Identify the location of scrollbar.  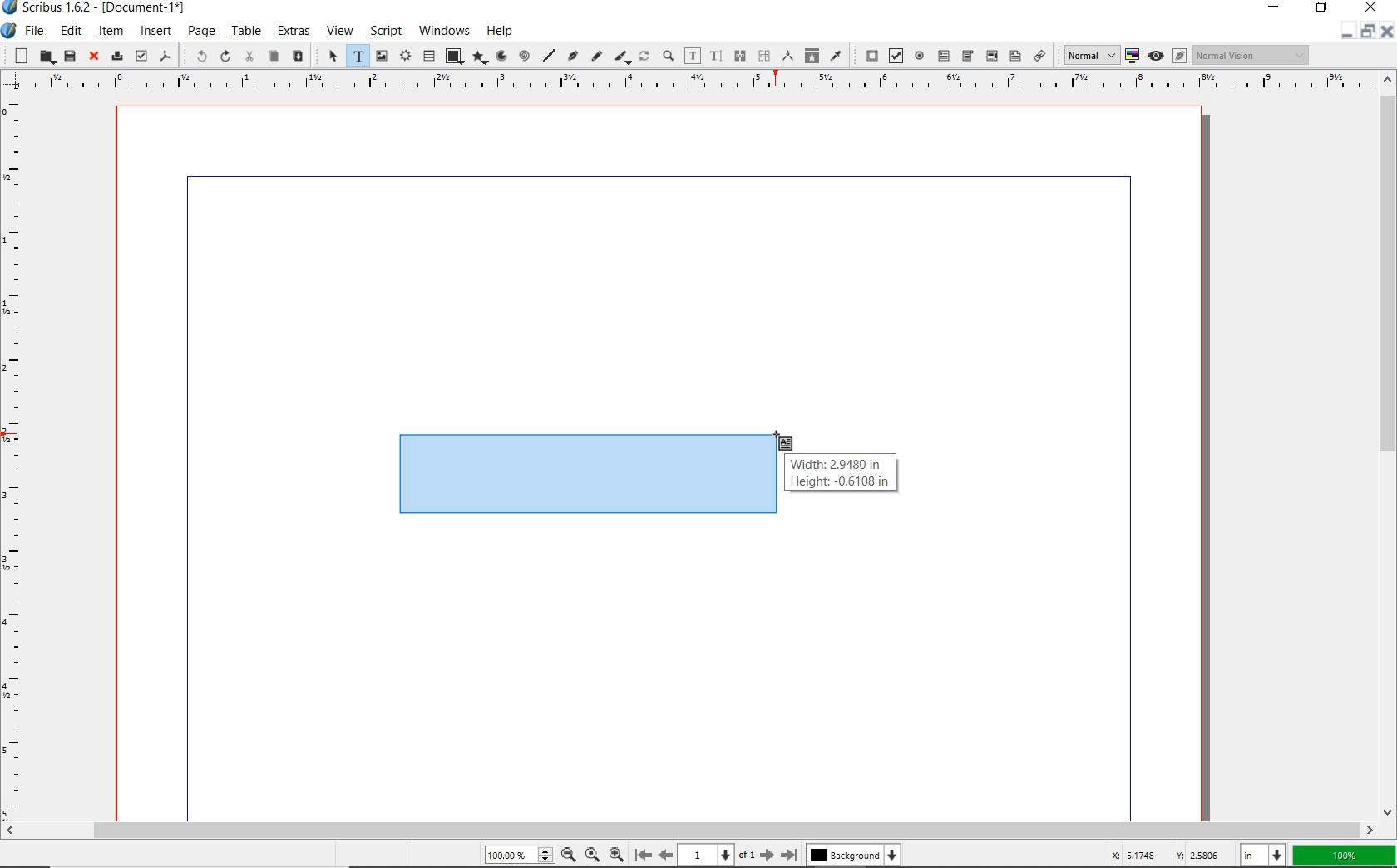
(1387, 445).